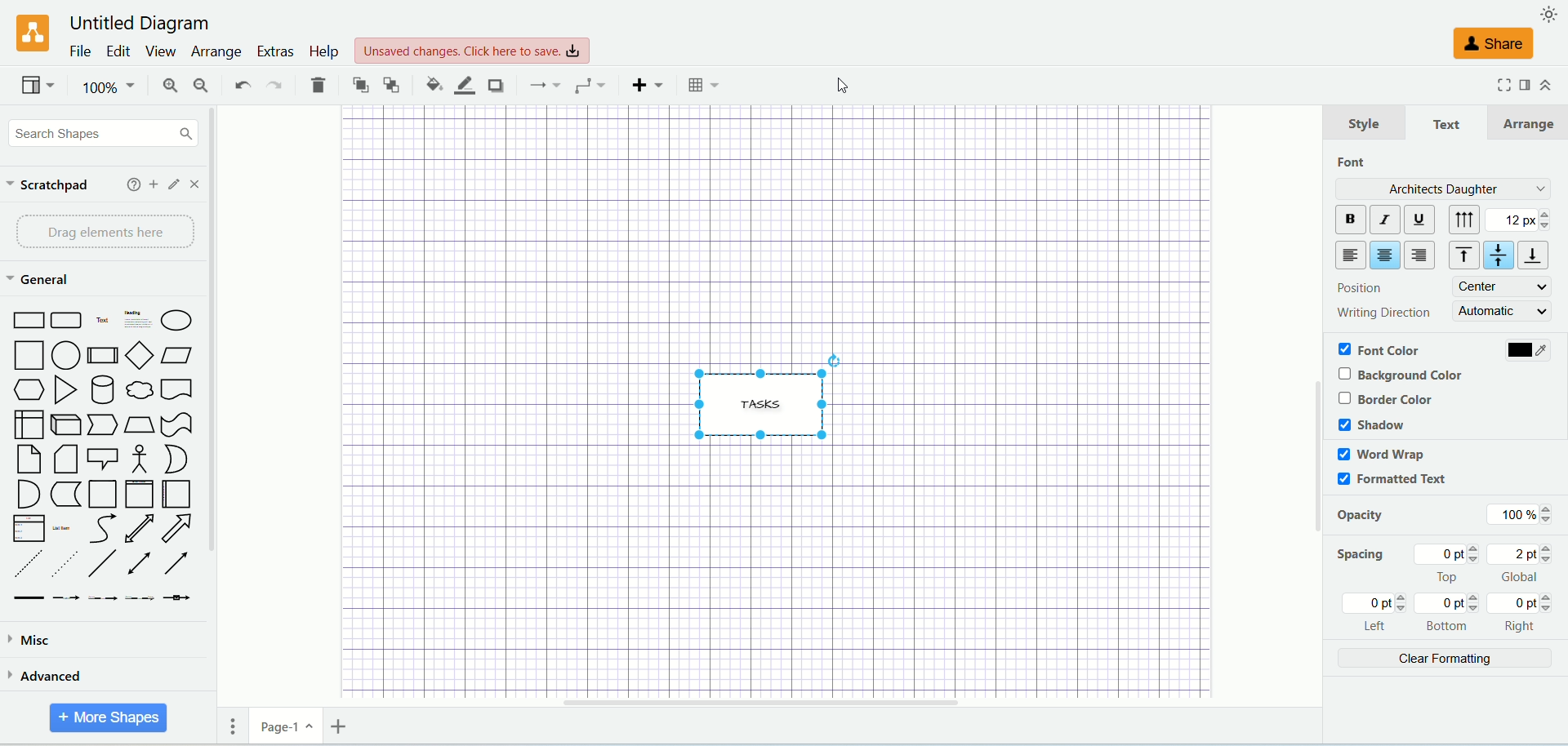 This screenshot has width=1568, height=746. What do you see at coordinates (1392, 482) in the screenshot?
I see `formatted text` at bounding box center [1392, 482].